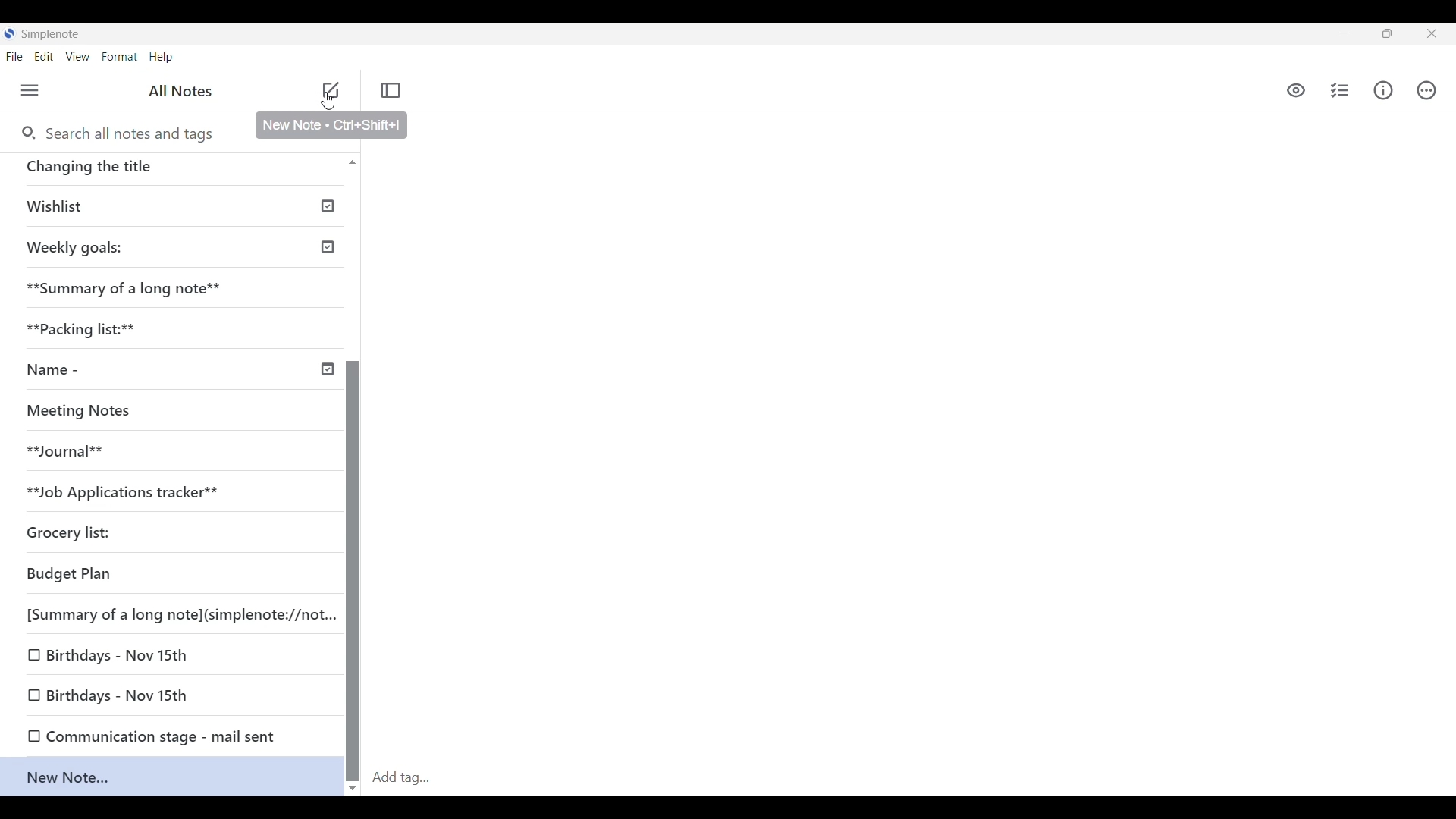 The height and width of the screenshot is (819, 1456). I want to click on [Summary of a long note](simplenote://not..., so click(179, 612).